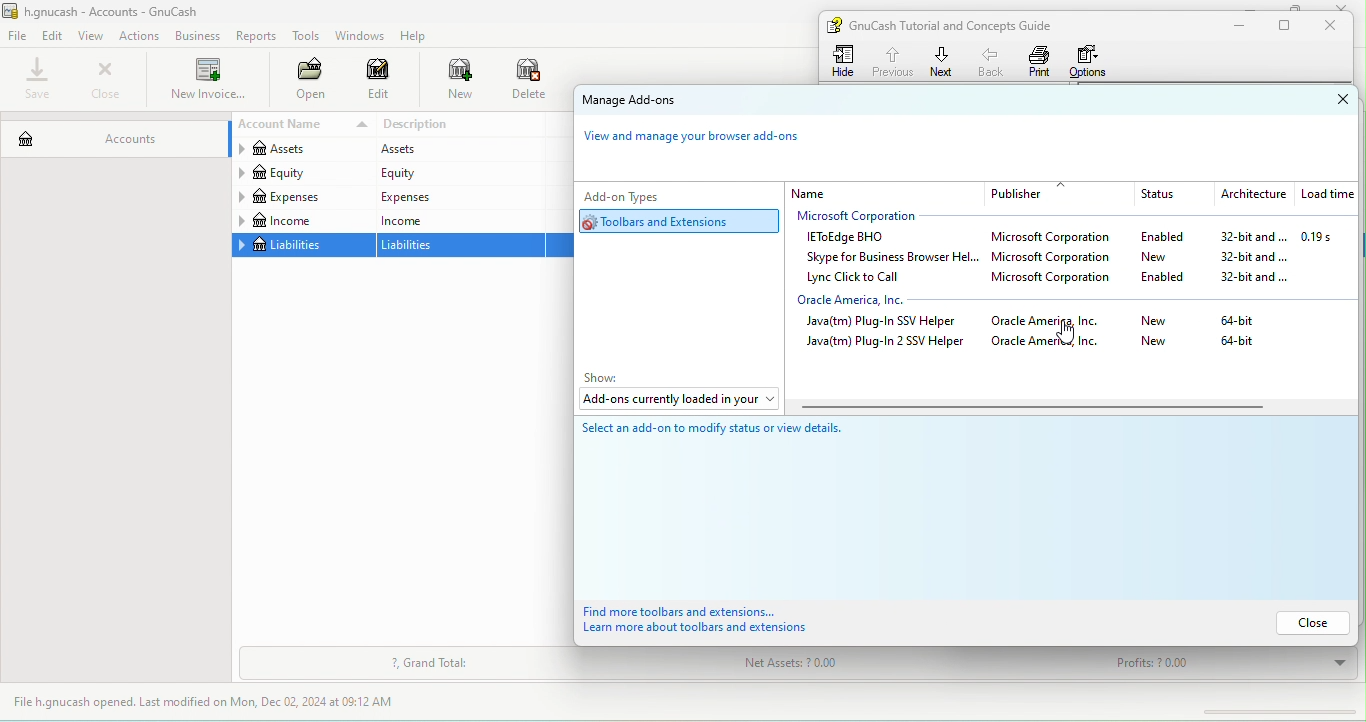 This screenshot has width=1366, height=722. What do you see at coordinates (1288, 26) in the screenshot?
I see `maximize` at bounding box center [1288, 26].